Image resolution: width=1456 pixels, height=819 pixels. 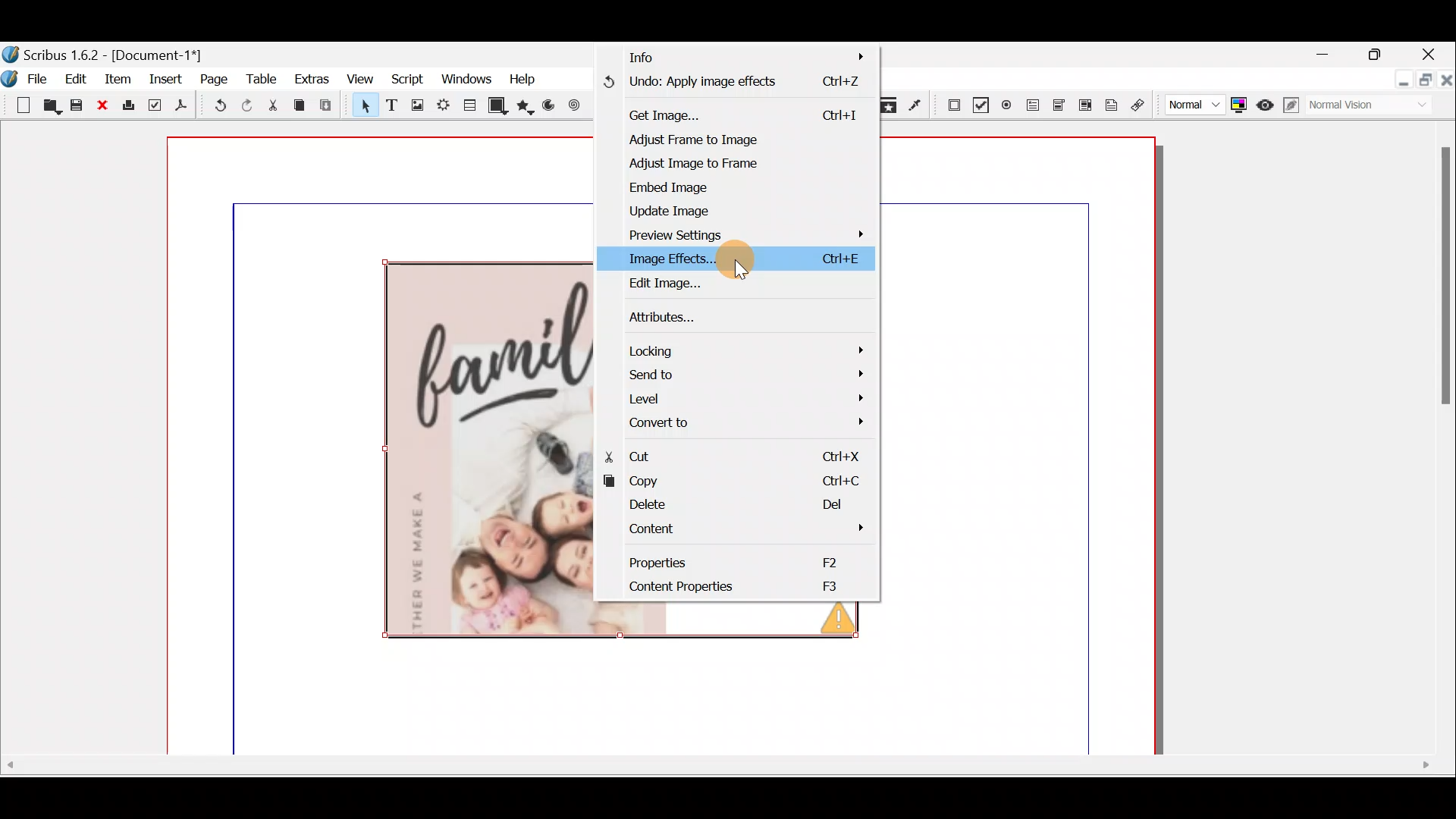 What do you see at coordinates (329, 105) in the screenshot?
I see `Paste` at bounding box center [329, 105].